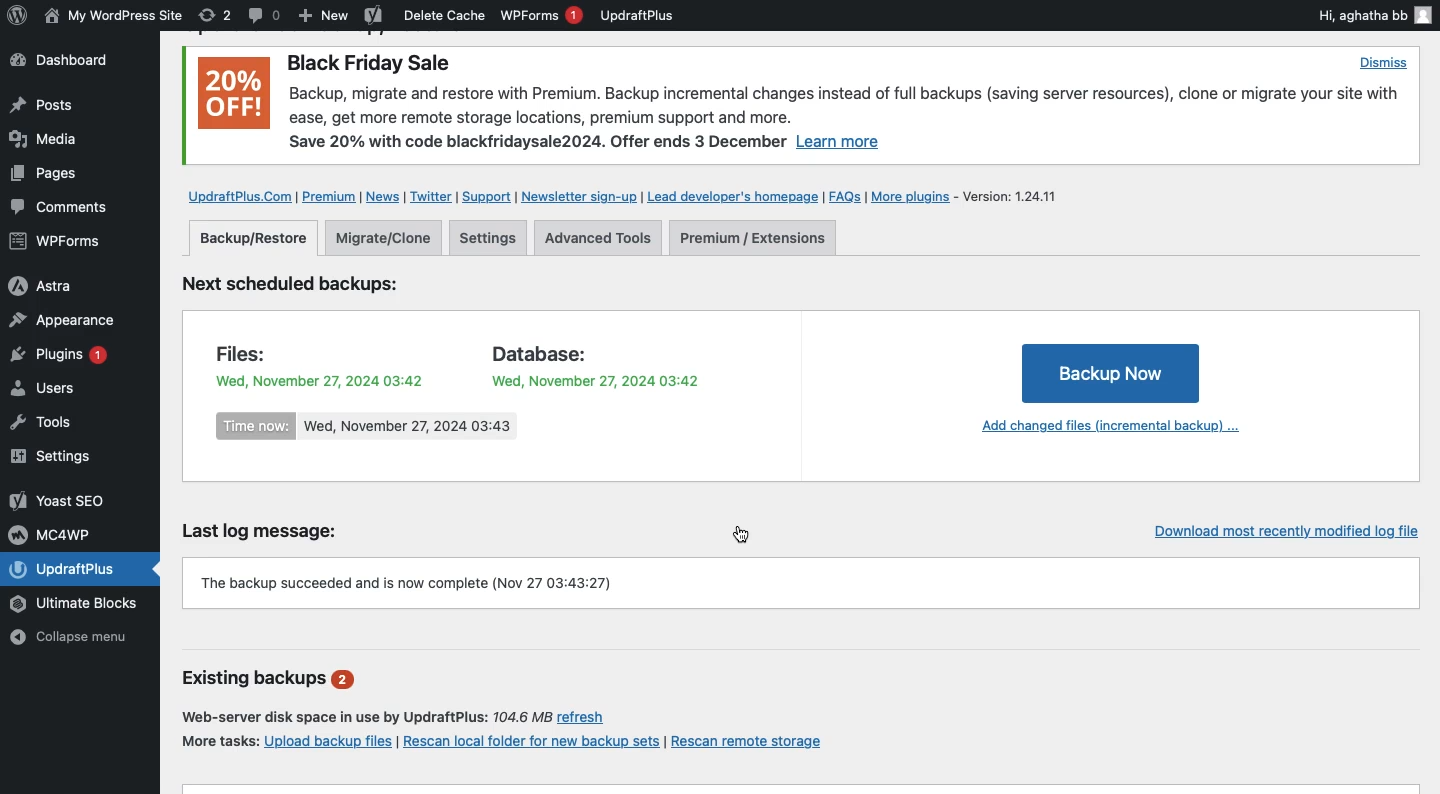  I want to click on Ultimate Blocks, so click(78, 604).